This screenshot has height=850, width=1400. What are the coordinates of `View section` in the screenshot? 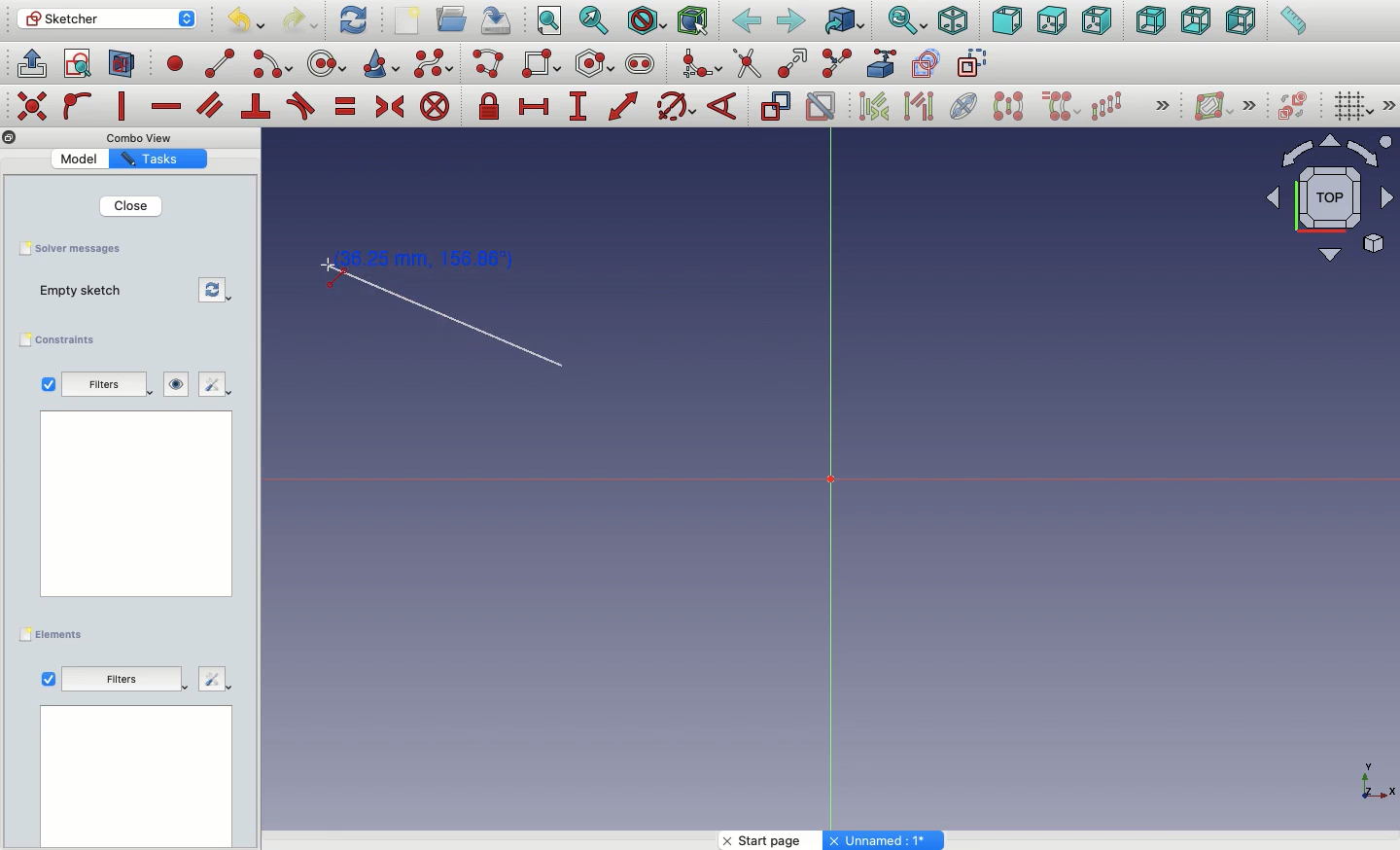 It's located at (122, 65).